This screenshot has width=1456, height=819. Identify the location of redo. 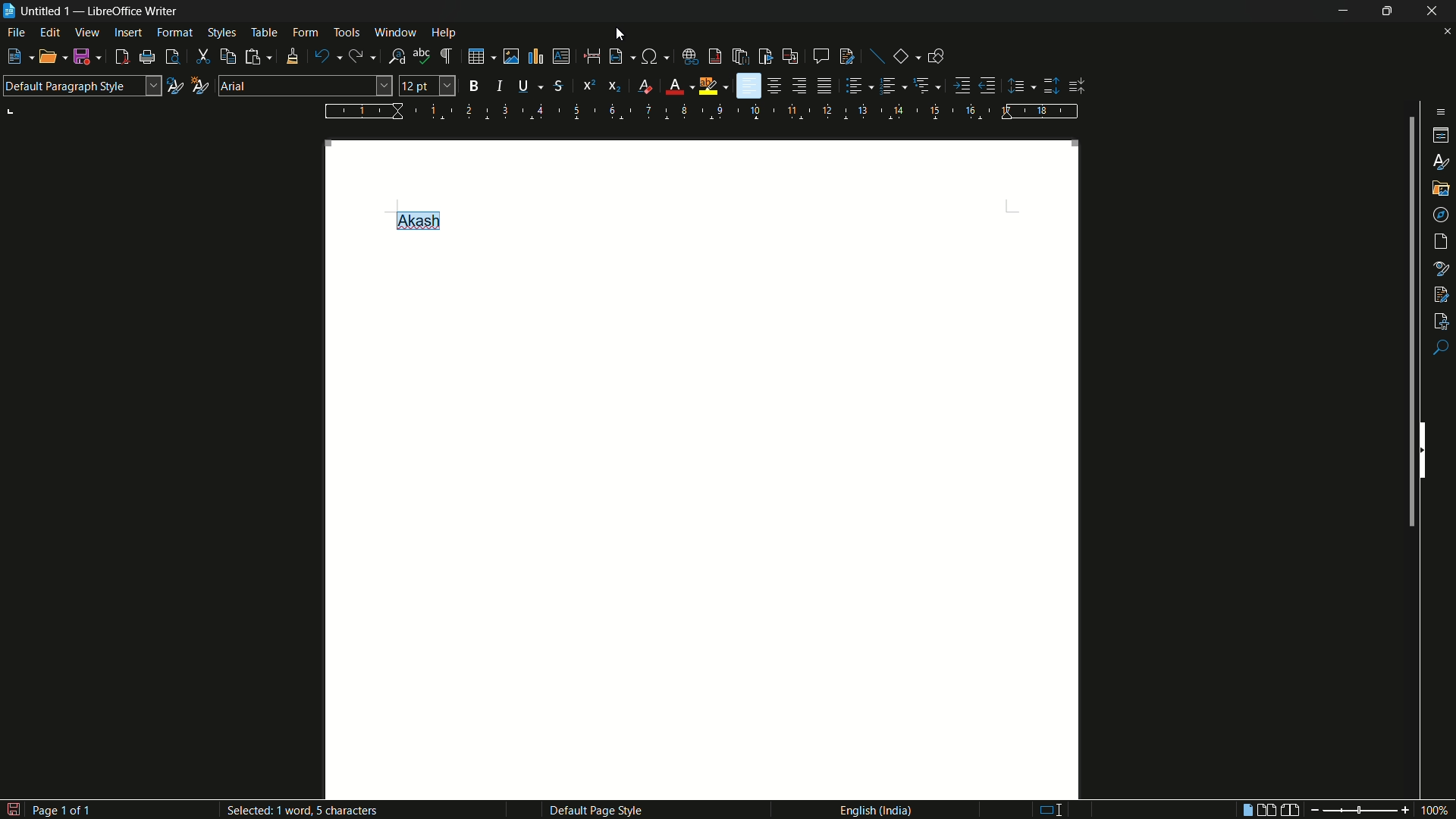
(359, 56).